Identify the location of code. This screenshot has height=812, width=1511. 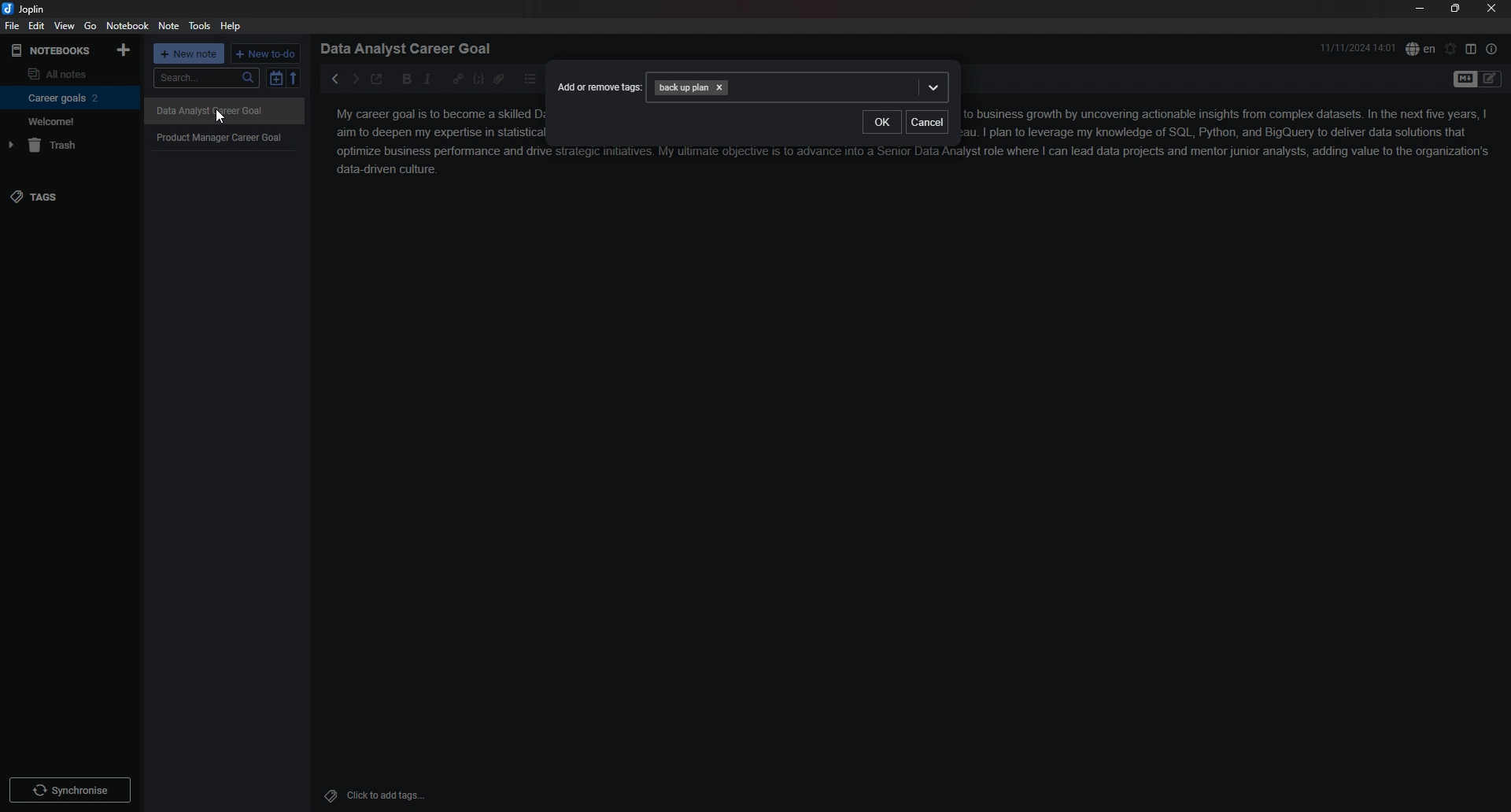
(478, 79).